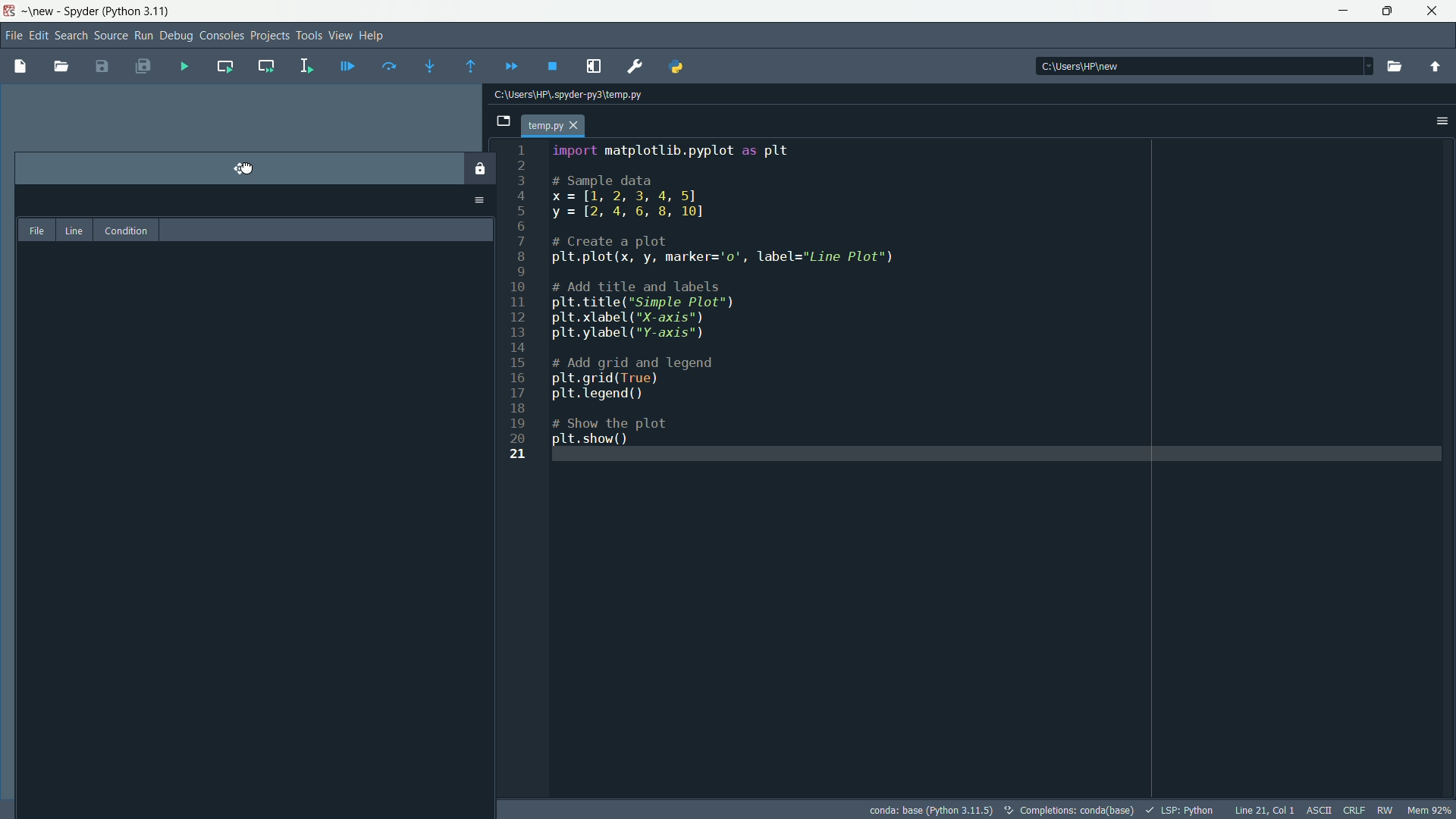 This screenshot has height=819, width=1456. What do you see at coordinates (1394, 66) in the screenshot?
I see `browse directory` at bounding box center [1394, 66].